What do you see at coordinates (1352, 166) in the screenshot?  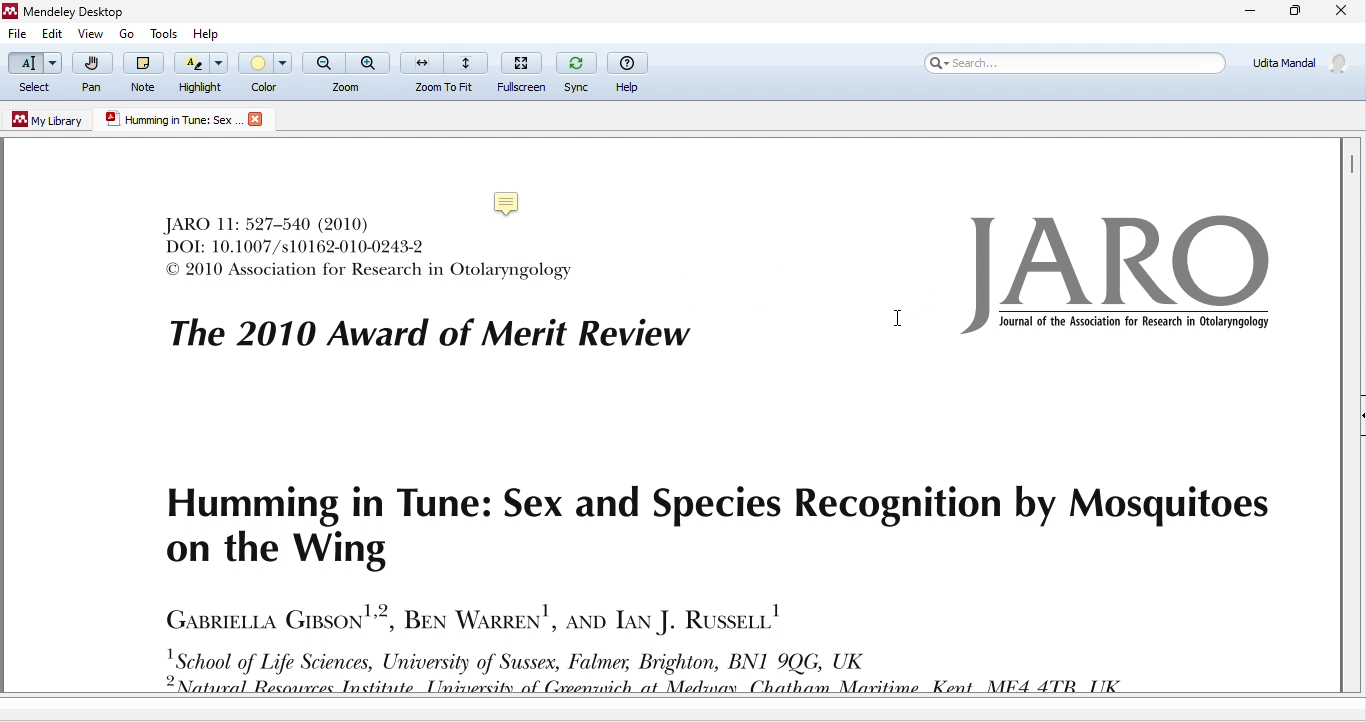 I see `vertical scroll bar` at bounding box center [1352, 166].